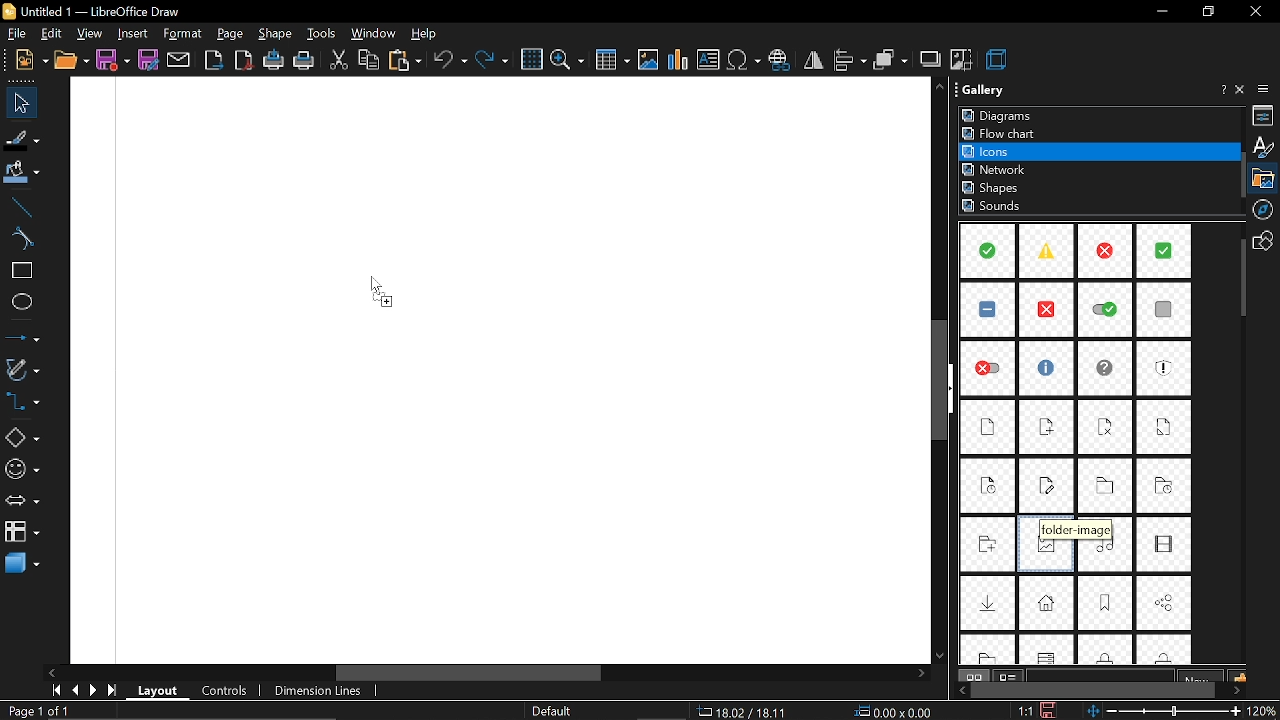 The height and width of the screenshot is (720, 1280). What do you see at coordinates (494, 59) in the screenshot?
I see `redo` at bounding box center [494, 59].